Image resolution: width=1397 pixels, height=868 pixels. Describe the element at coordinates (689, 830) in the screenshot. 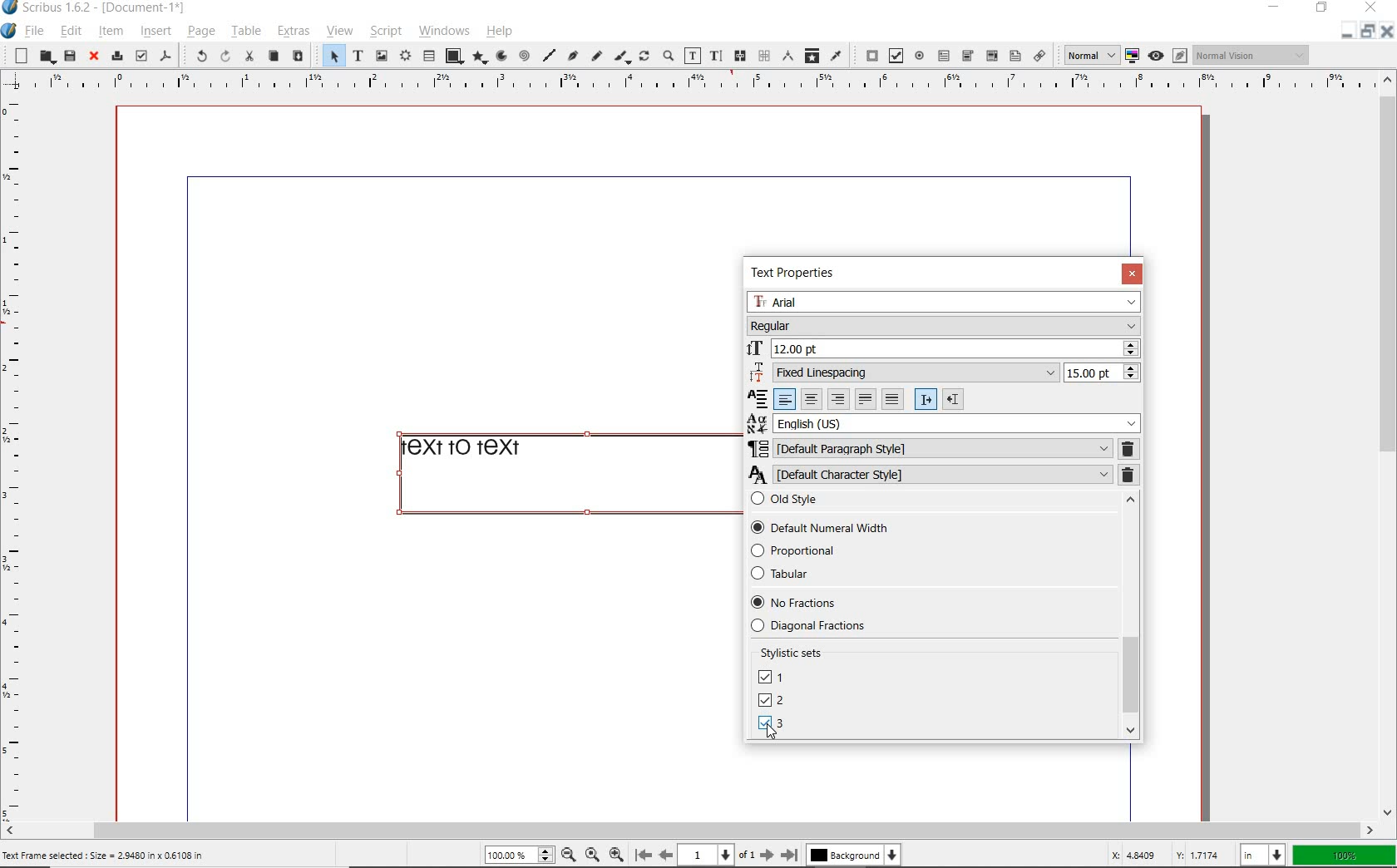

I see `scrollbar` at that location.